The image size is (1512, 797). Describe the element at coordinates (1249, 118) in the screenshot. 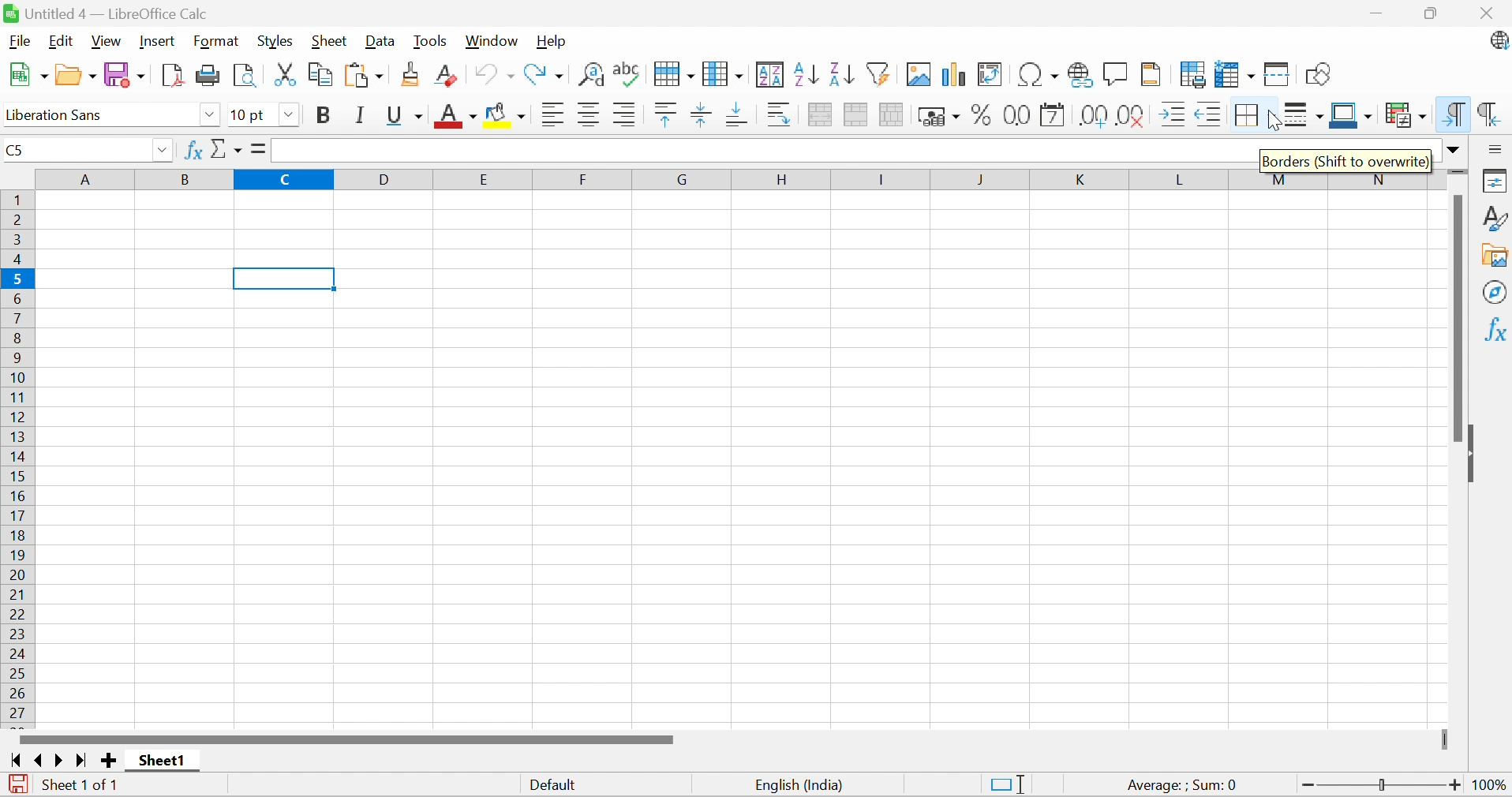

I see `Borders` at that location.